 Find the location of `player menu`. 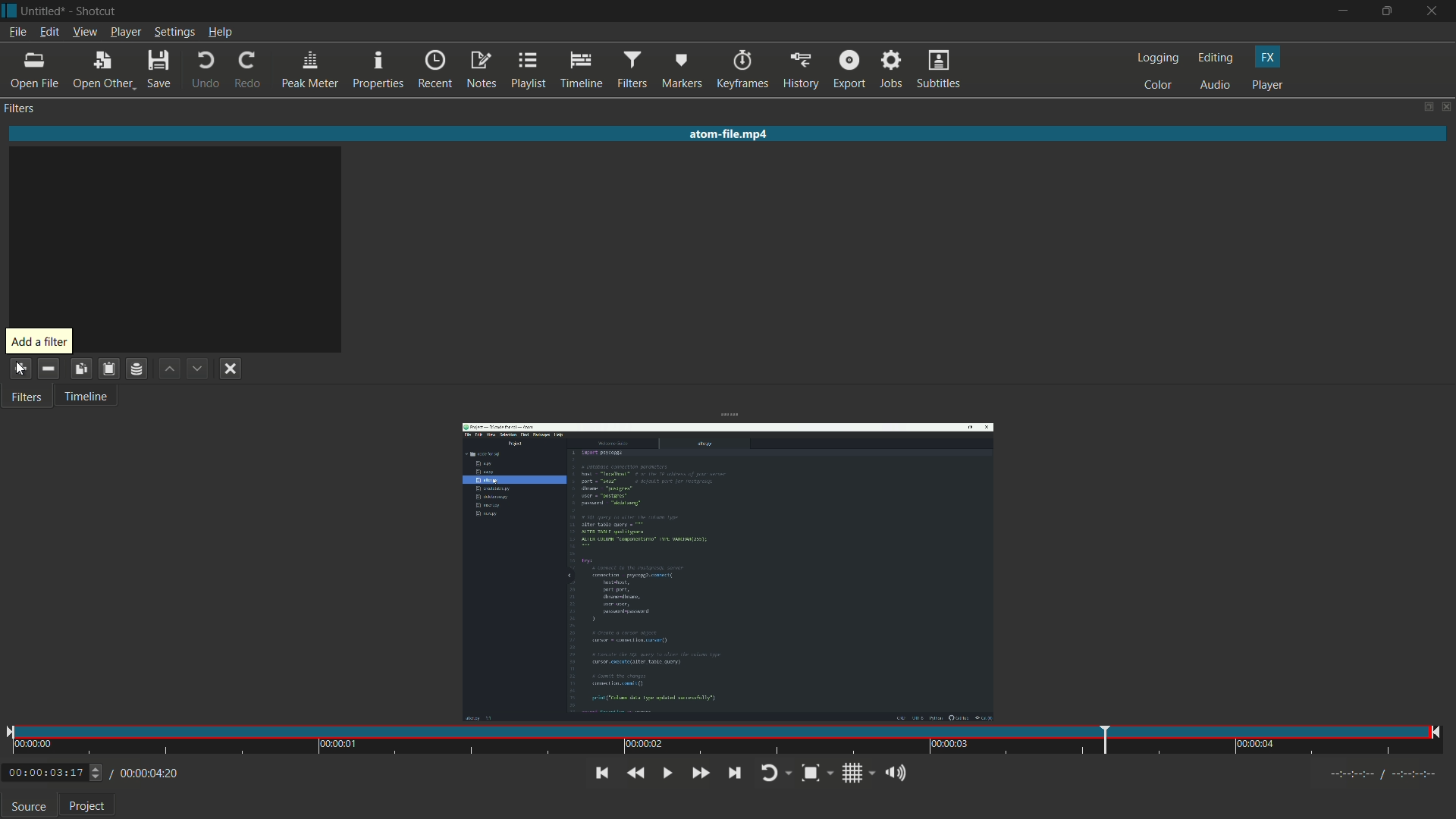

player menu is located at coordinates (125, 33).